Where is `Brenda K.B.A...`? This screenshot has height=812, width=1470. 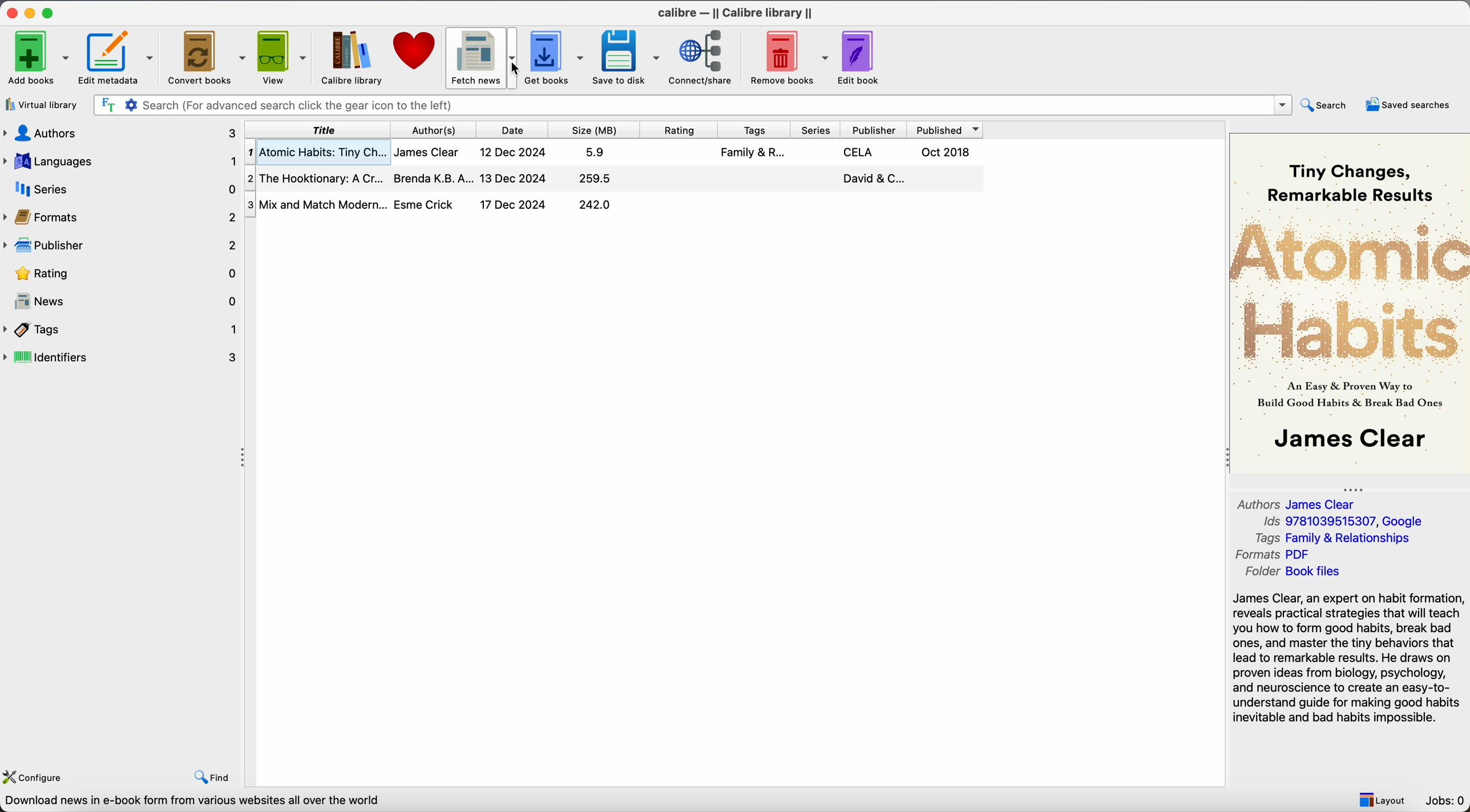
Brenda K.B.A... is located at coordinates (431, 177).